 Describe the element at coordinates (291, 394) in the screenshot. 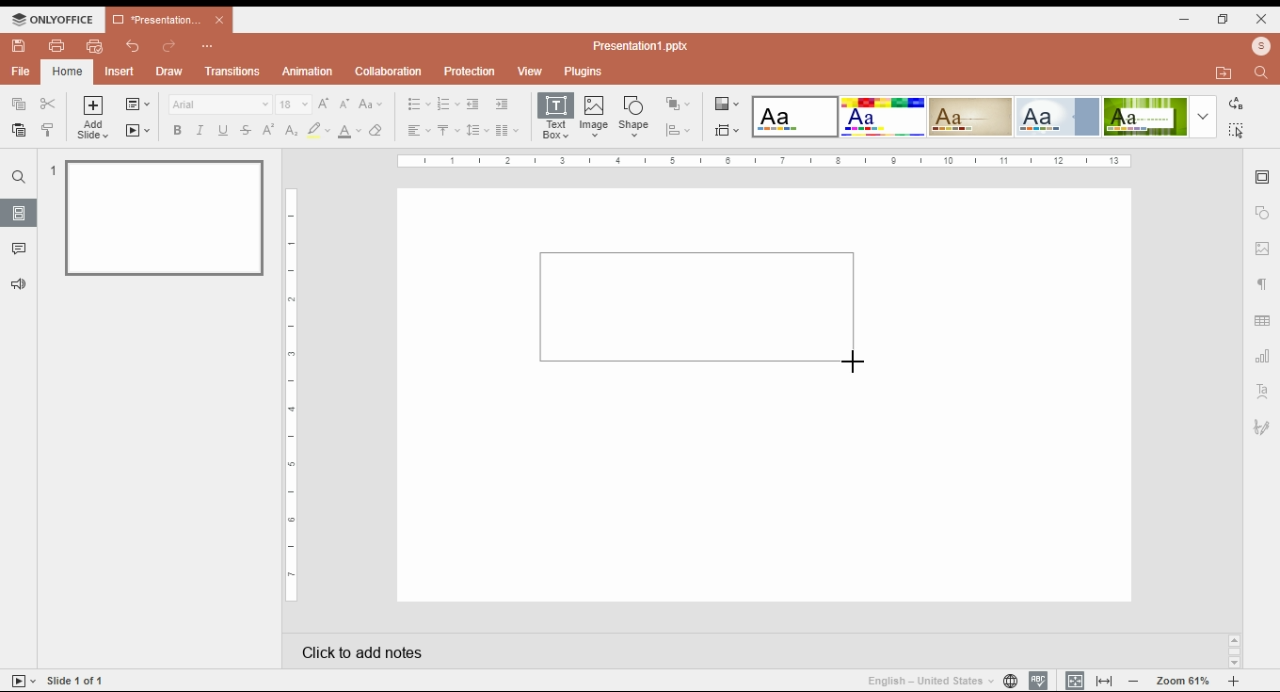

I see `Ruler` at that location.